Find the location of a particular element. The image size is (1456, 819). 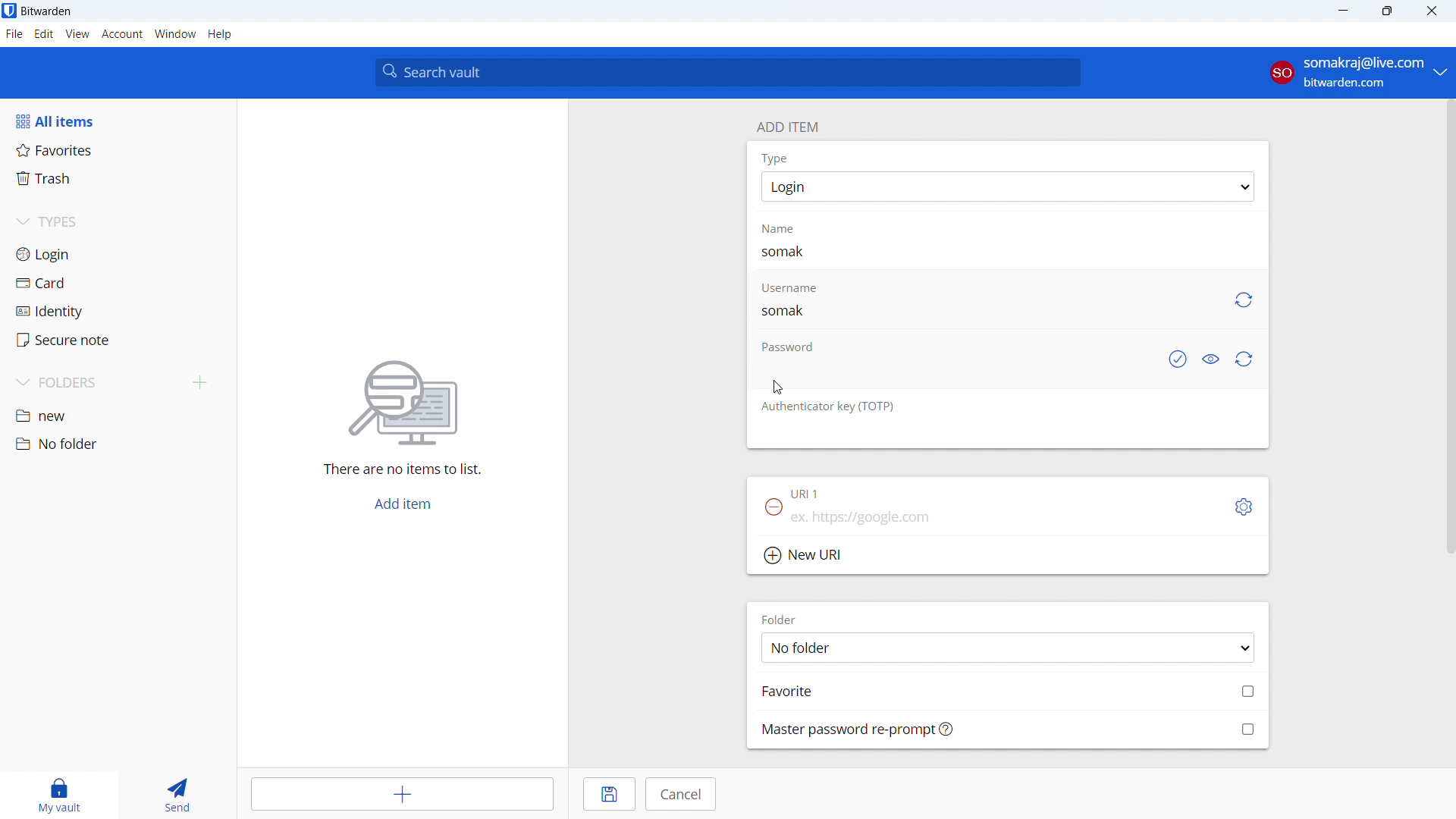

add item is located at coordinates (786, 125).